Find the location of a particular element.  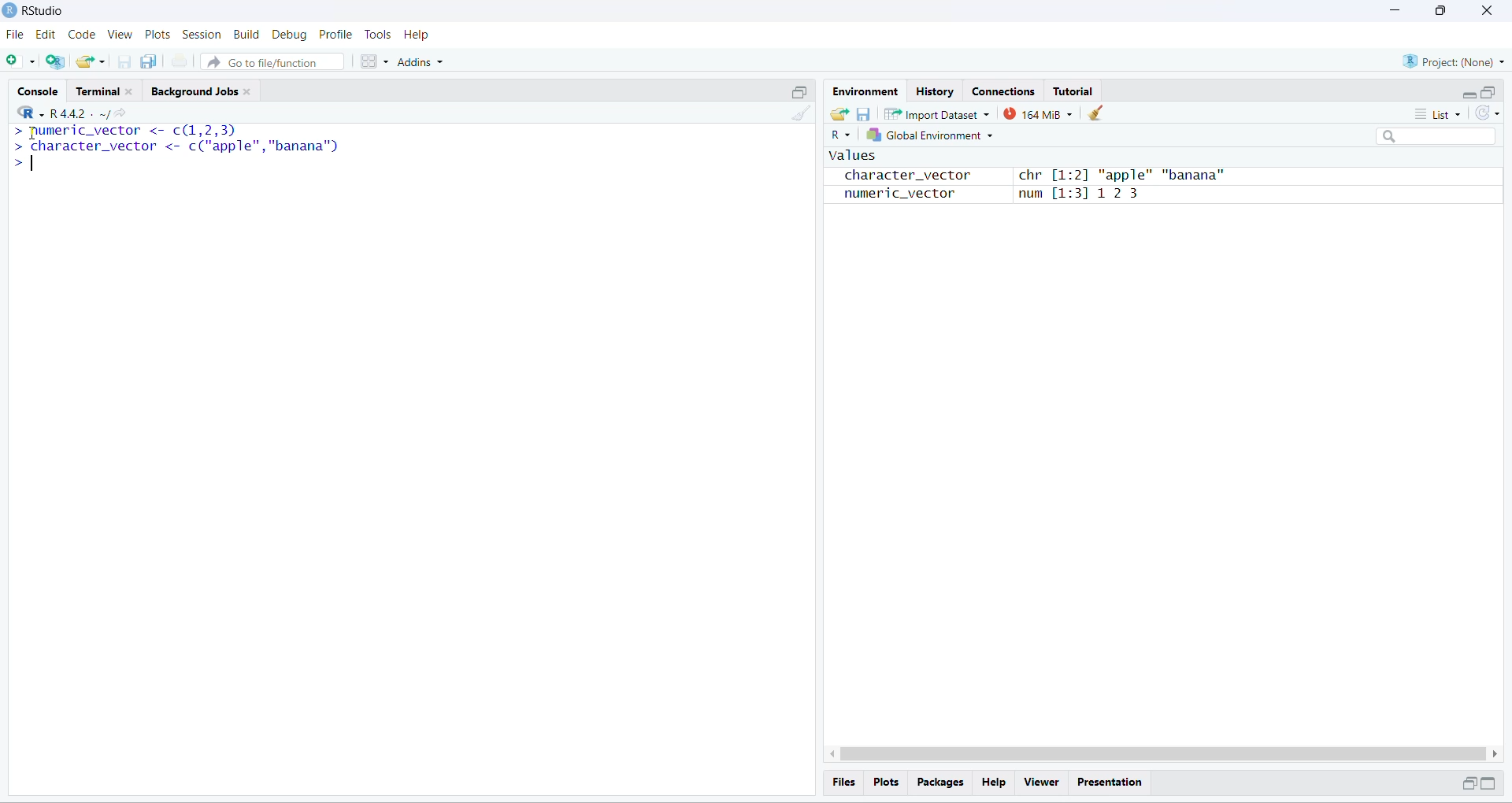

View is located at coordinates (120, 35).